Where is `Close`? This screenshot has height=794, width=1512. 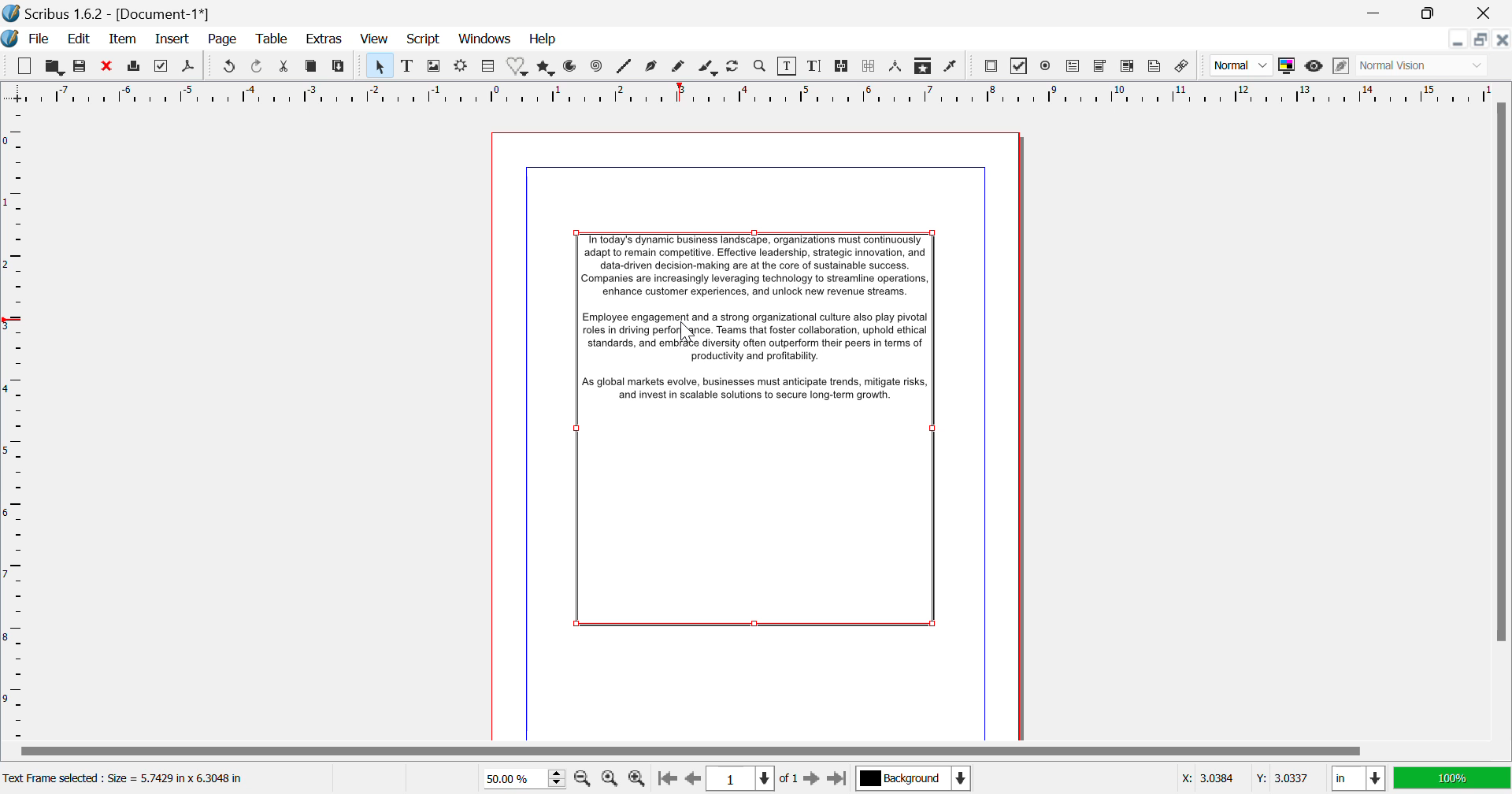
Close is located at coordinates (1503, 41).